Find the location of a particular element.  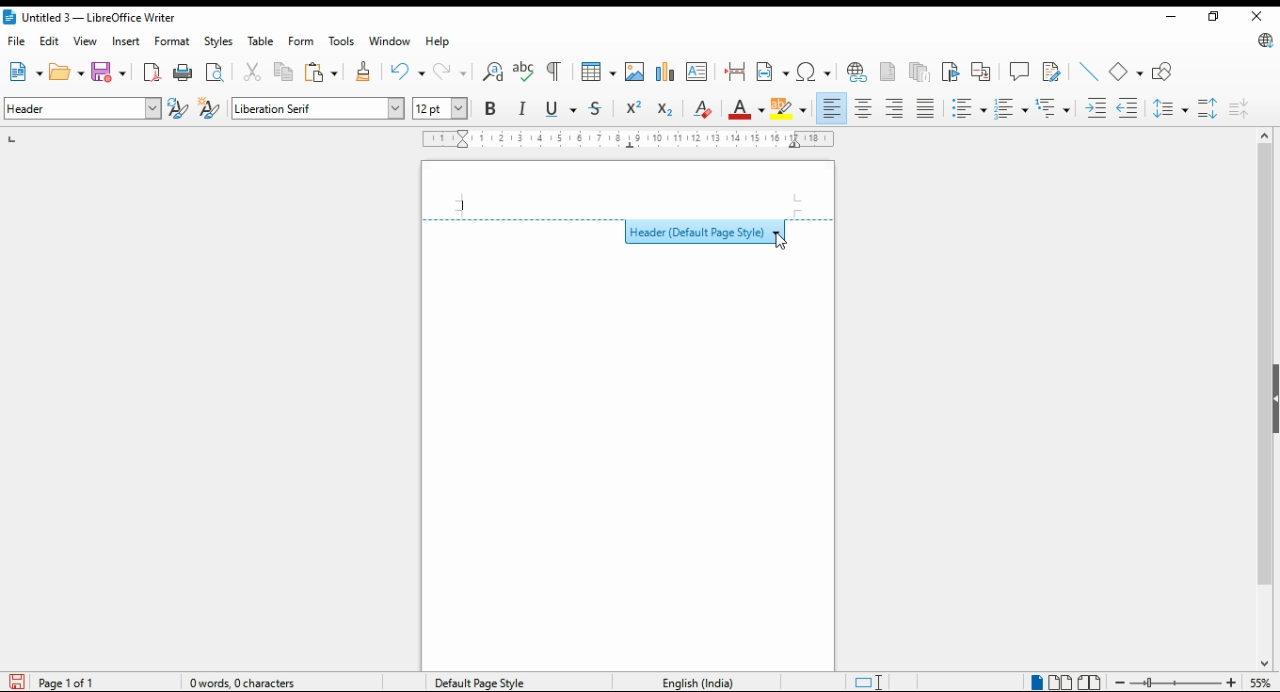

open is located at coordinates (67, 71).